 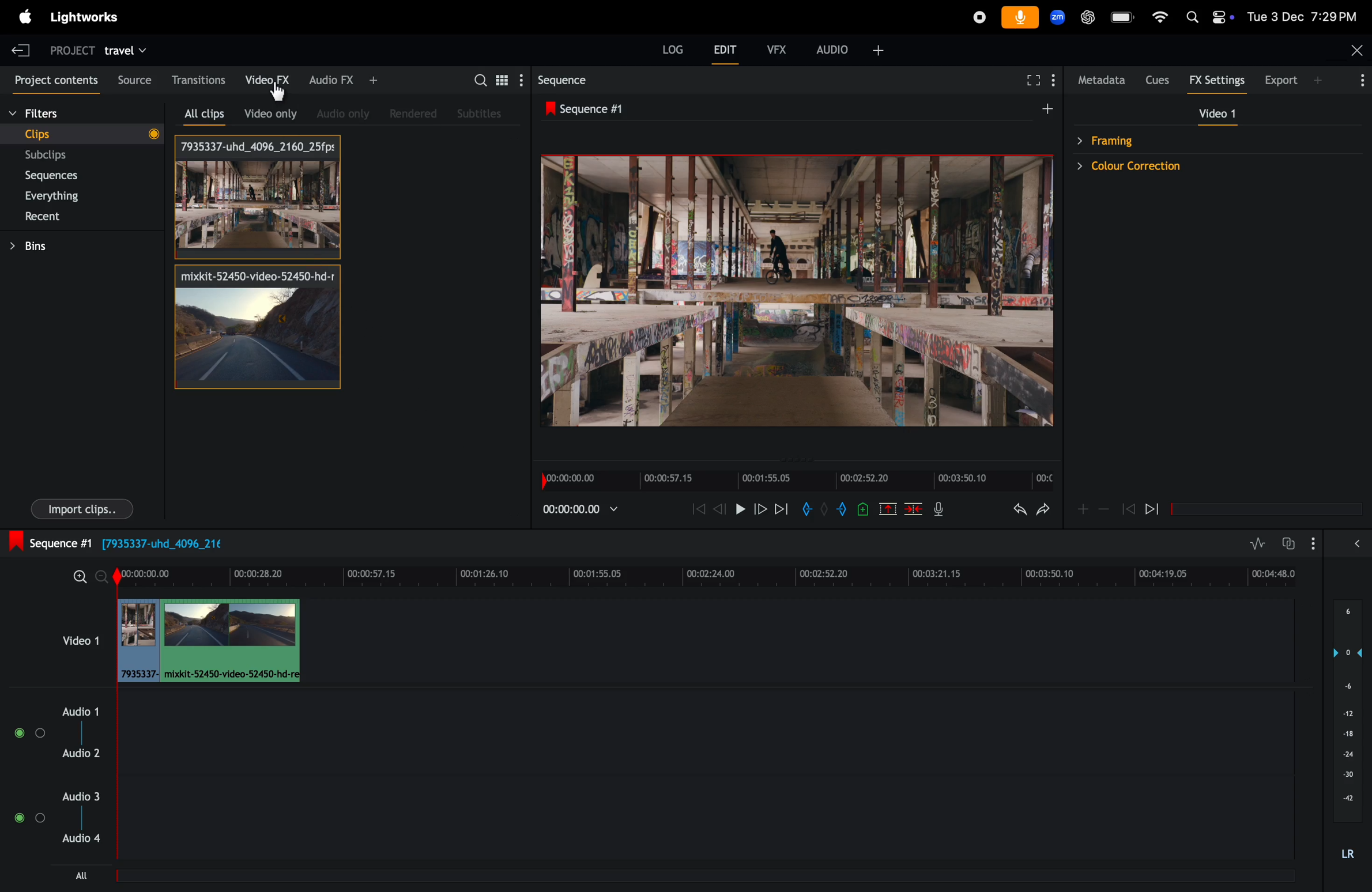 I want to click on Audio mx, so click(x=339, y=113).